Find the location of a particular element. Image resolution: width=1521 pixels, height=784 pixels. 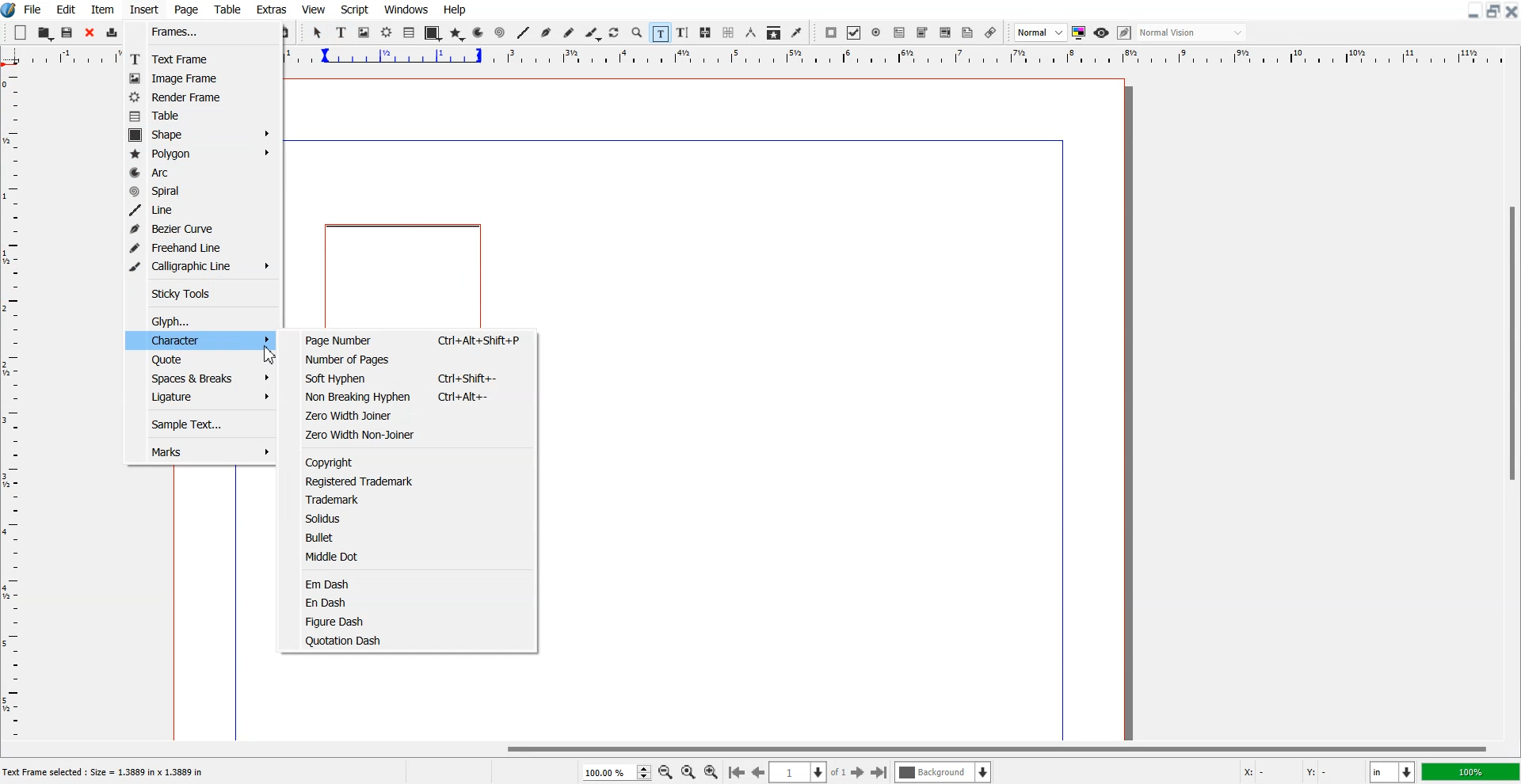

Go to First Page is located at coordinates (736, 771).